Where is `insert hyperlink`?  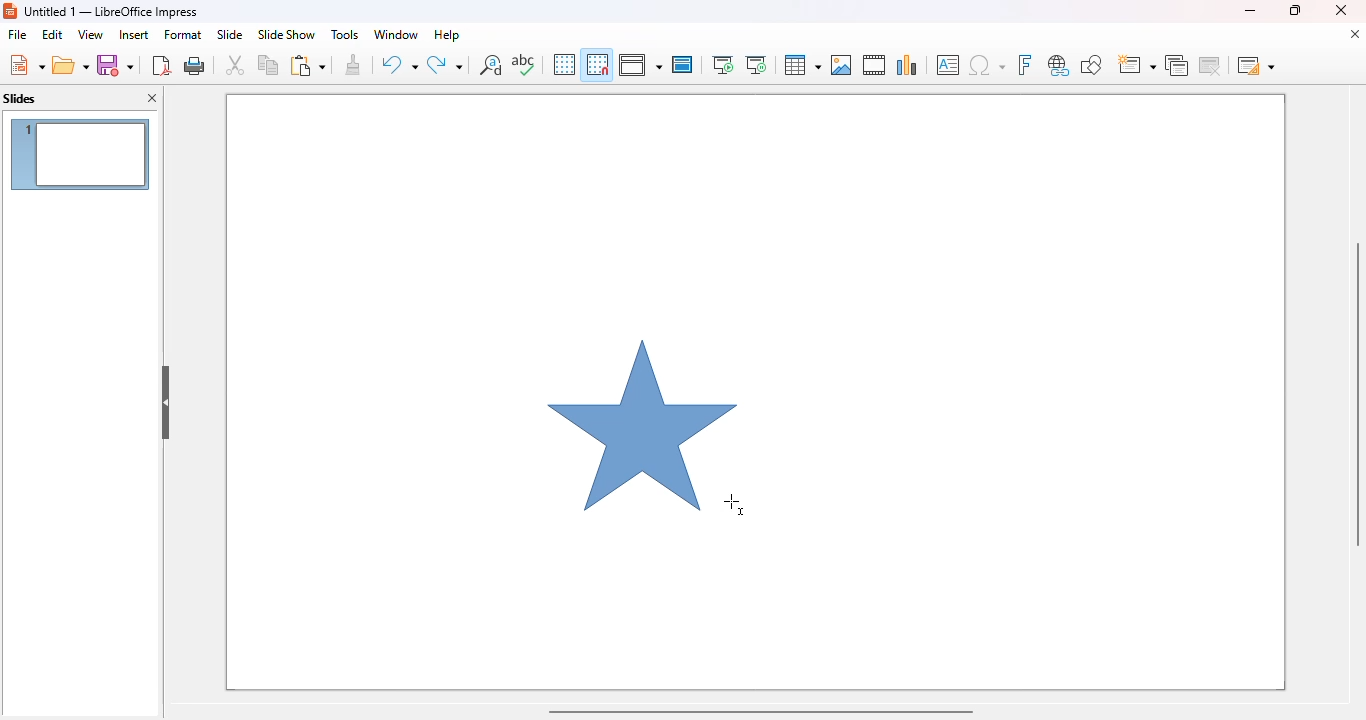 insert hyperlink is located at coordinates (1059, 65).